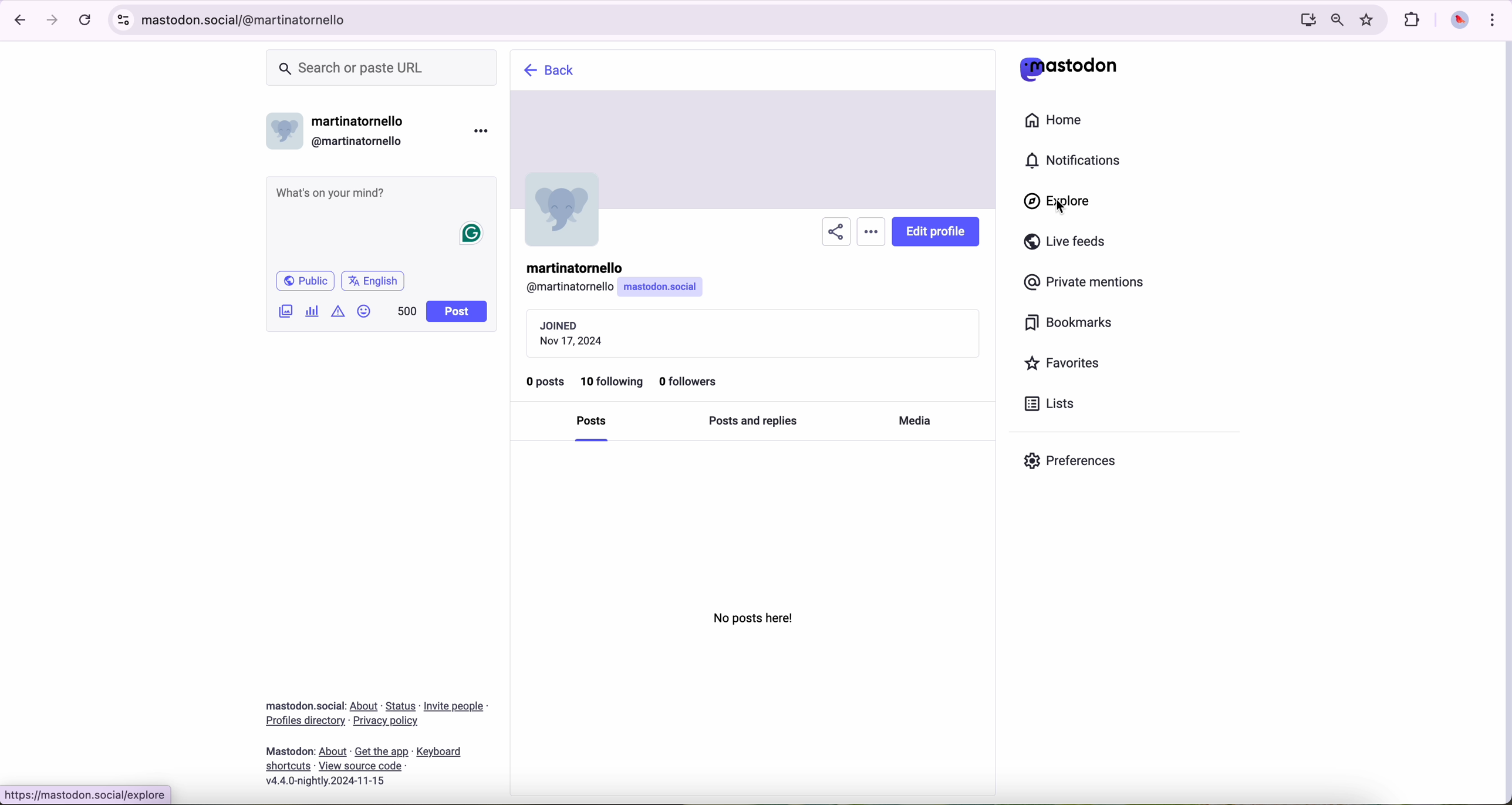 The height and width of the screenshot is (805, 1512). What do you see at coordinates (563, 211) in the screenshot?
I see `image profile` at bounding box center [563, 211].